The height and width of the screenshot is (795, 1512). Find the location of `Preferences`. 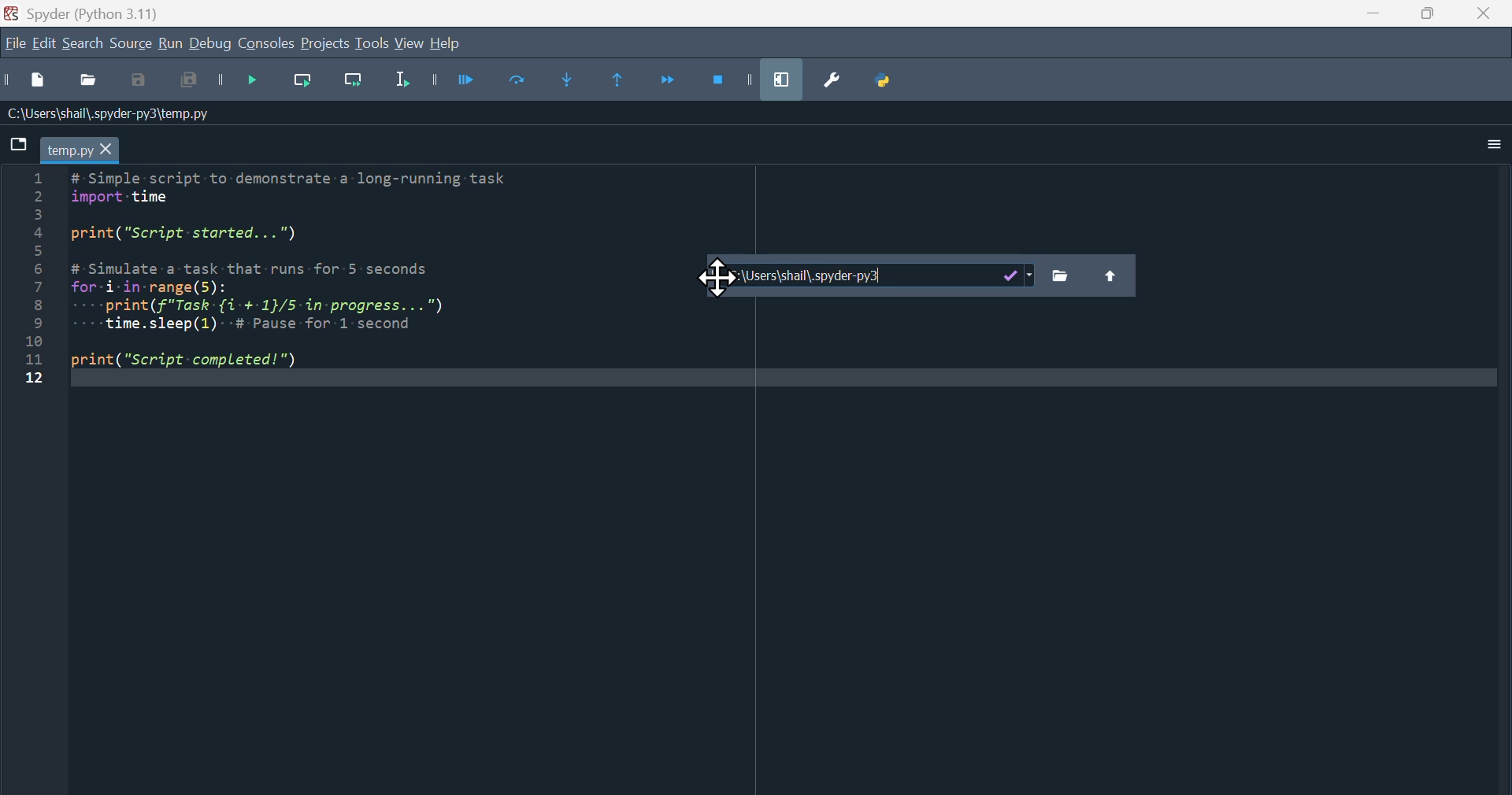

Preferences is located at coordinates (830, 83).